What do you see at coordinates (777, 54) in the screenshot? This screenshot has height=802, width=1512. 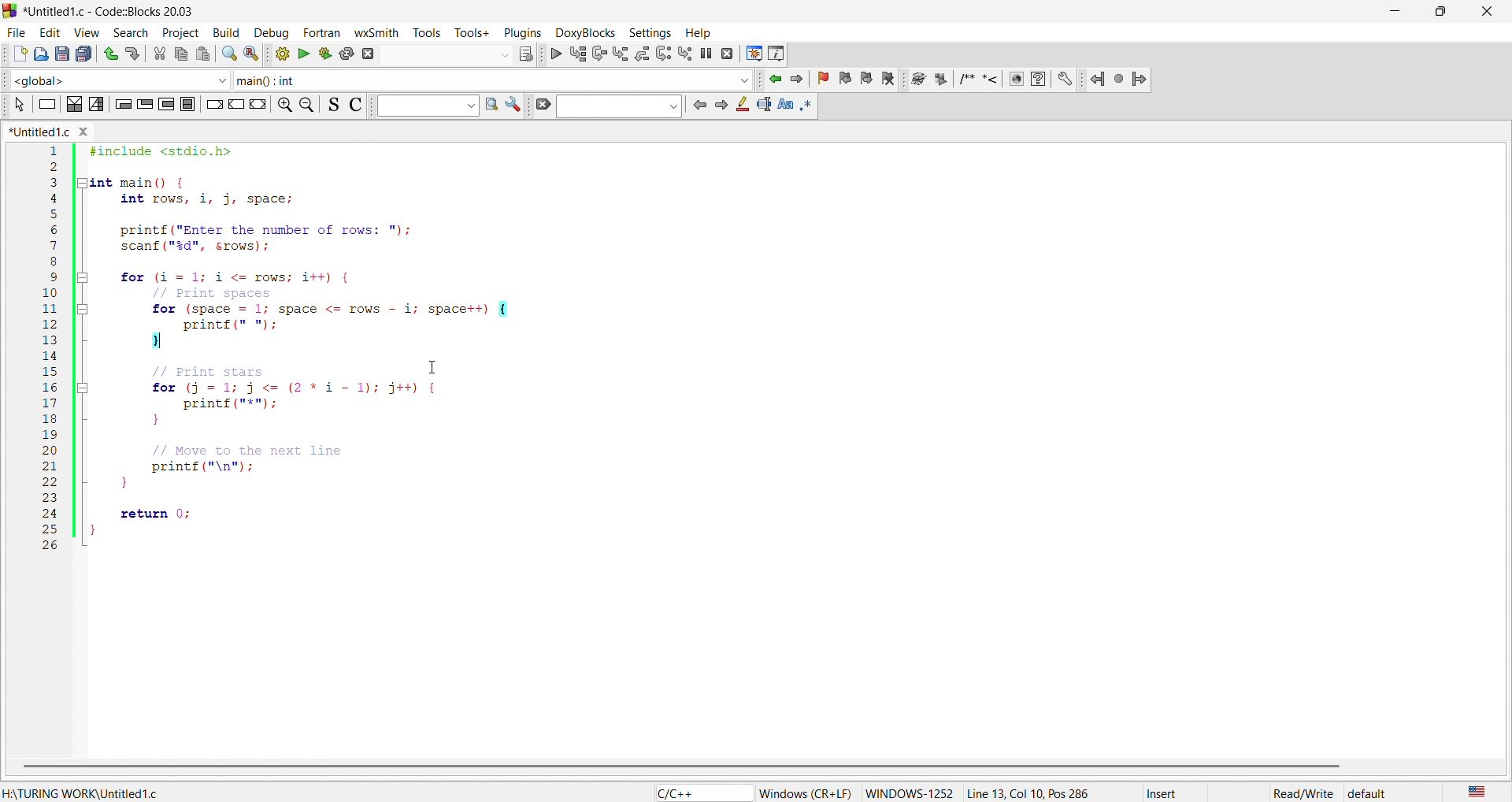 I see `info` at bounding box center [777, 54].